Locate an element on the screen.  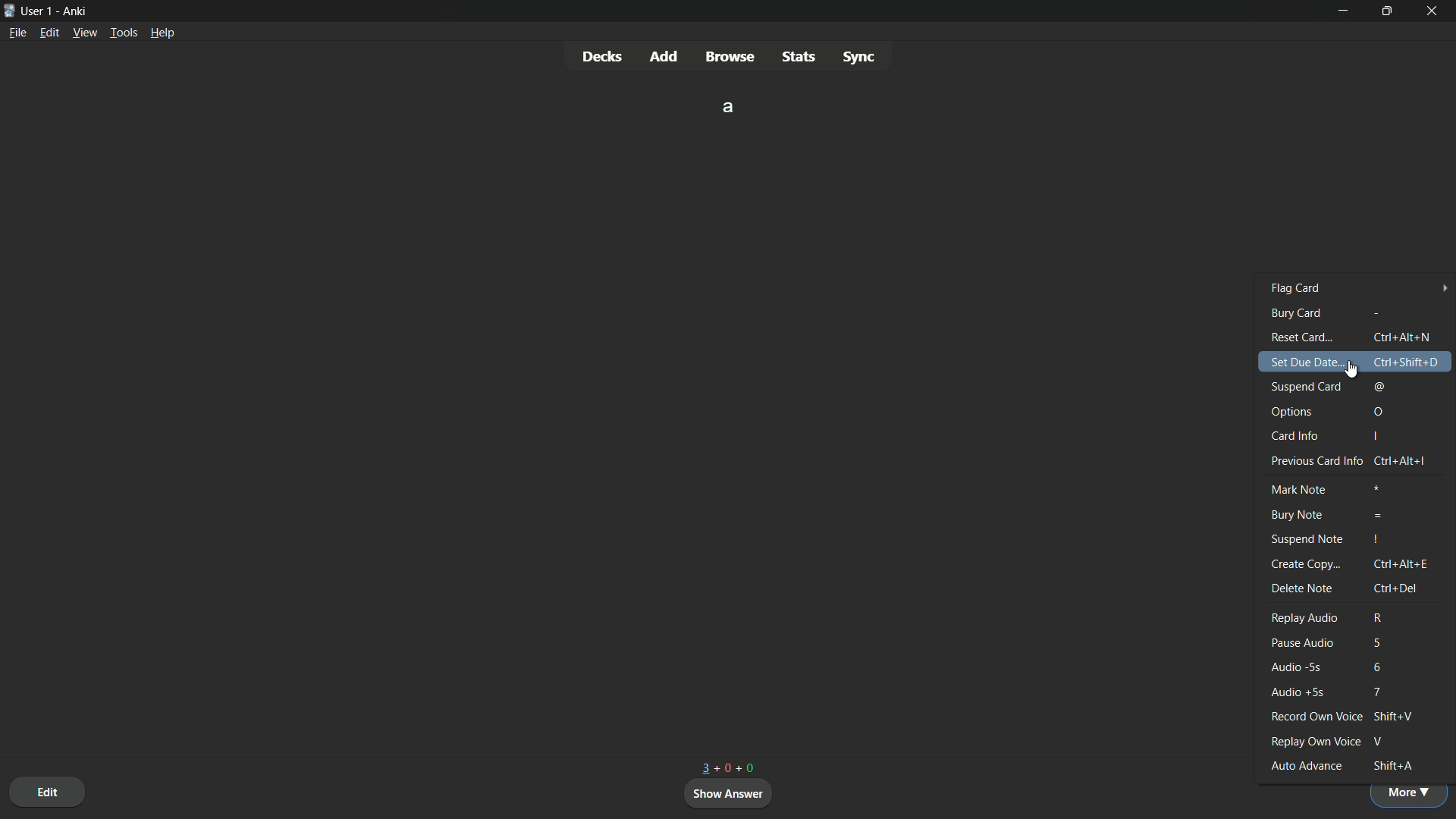
sync is located at coordinates (859, 55).